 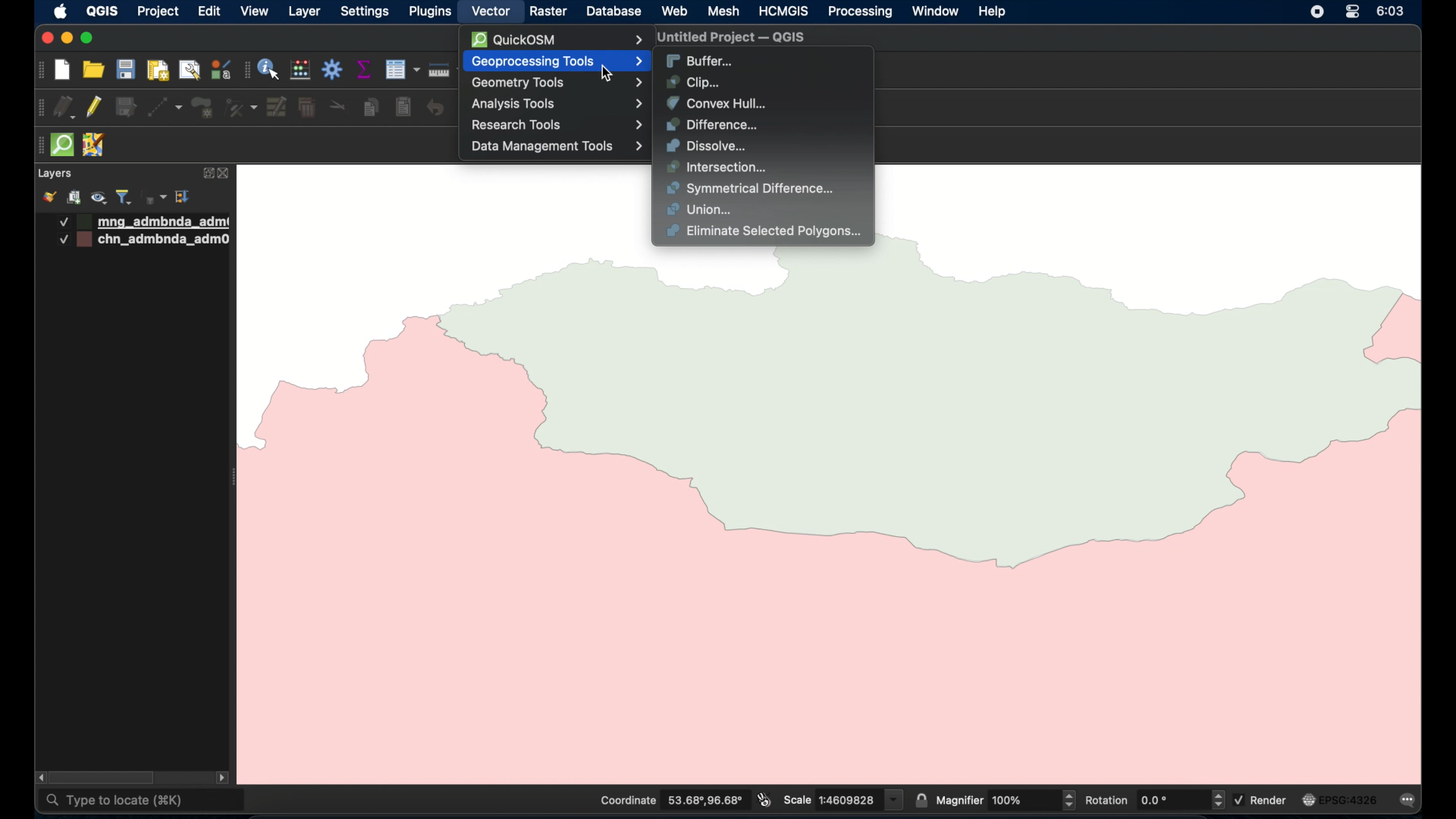 I want to click on geoprocessing tools, so click(x=560, y=61).